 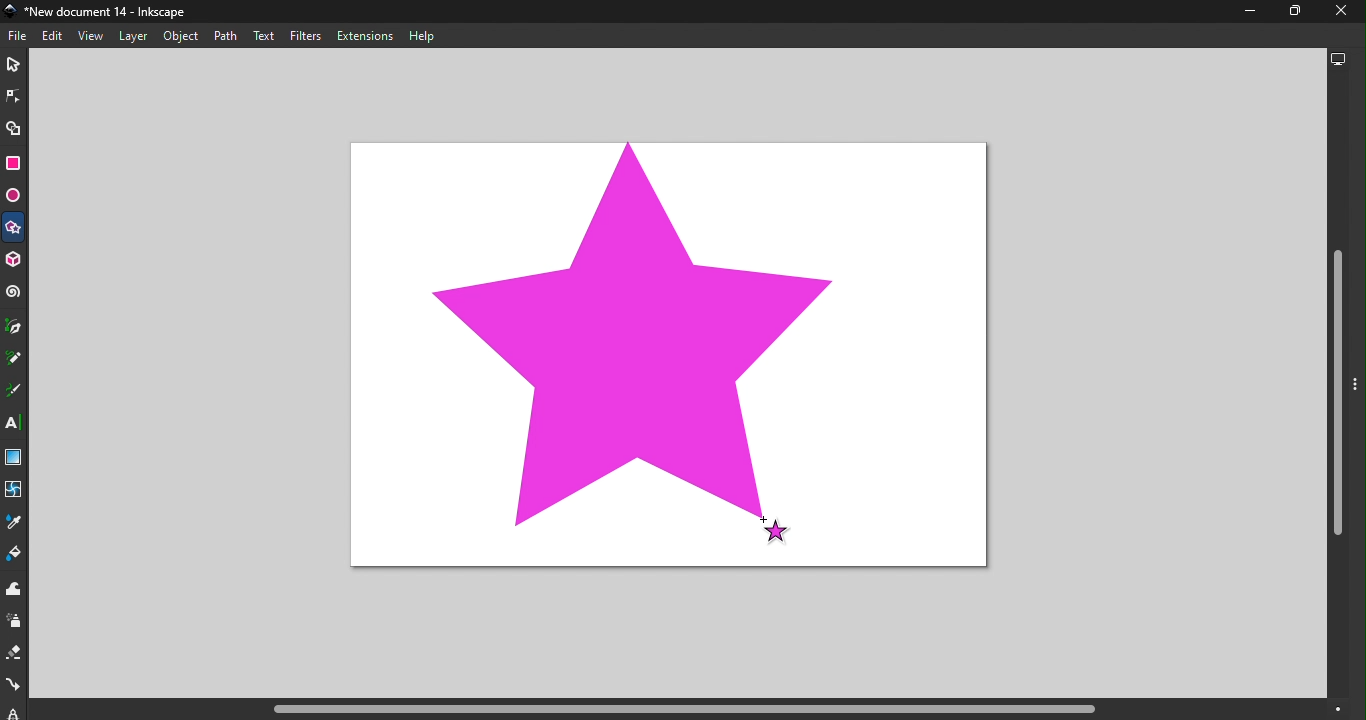 I want to click on Pencil tool, so click(x=14, y=361).